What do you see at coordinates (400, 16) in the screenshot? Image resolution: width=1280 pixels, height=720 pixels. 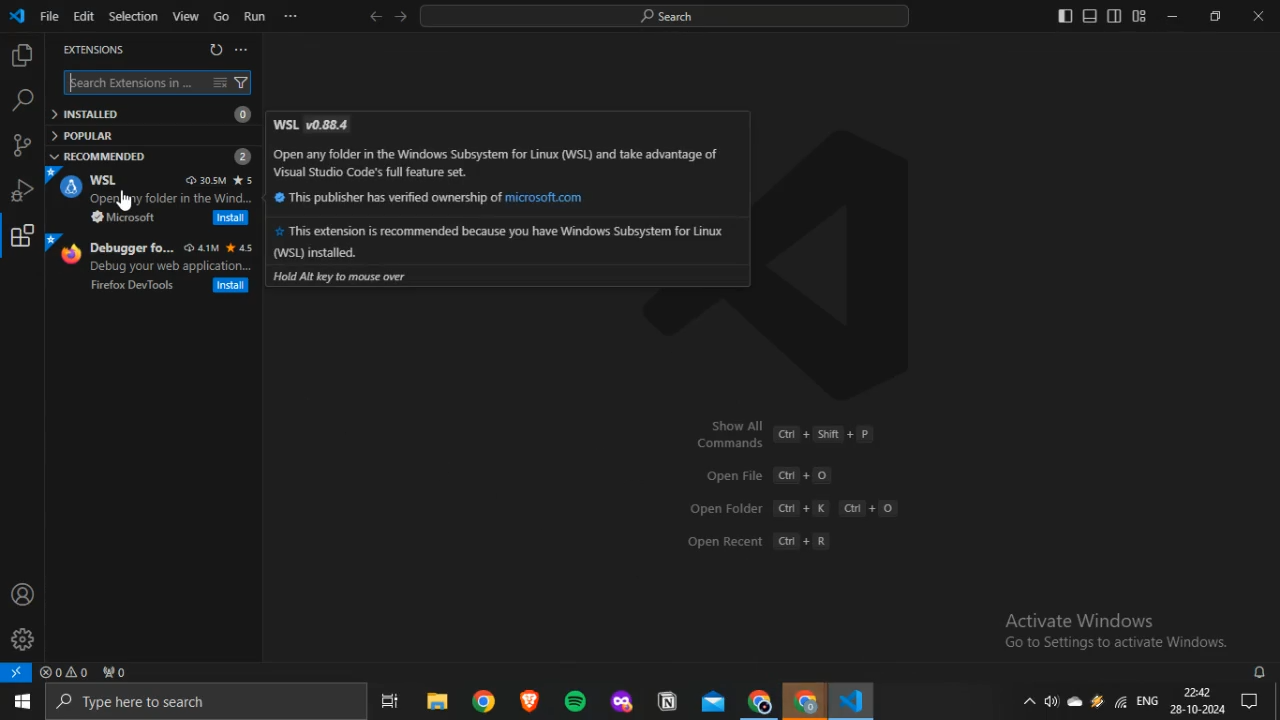 I see `forward` at bounding box center [400, 16].